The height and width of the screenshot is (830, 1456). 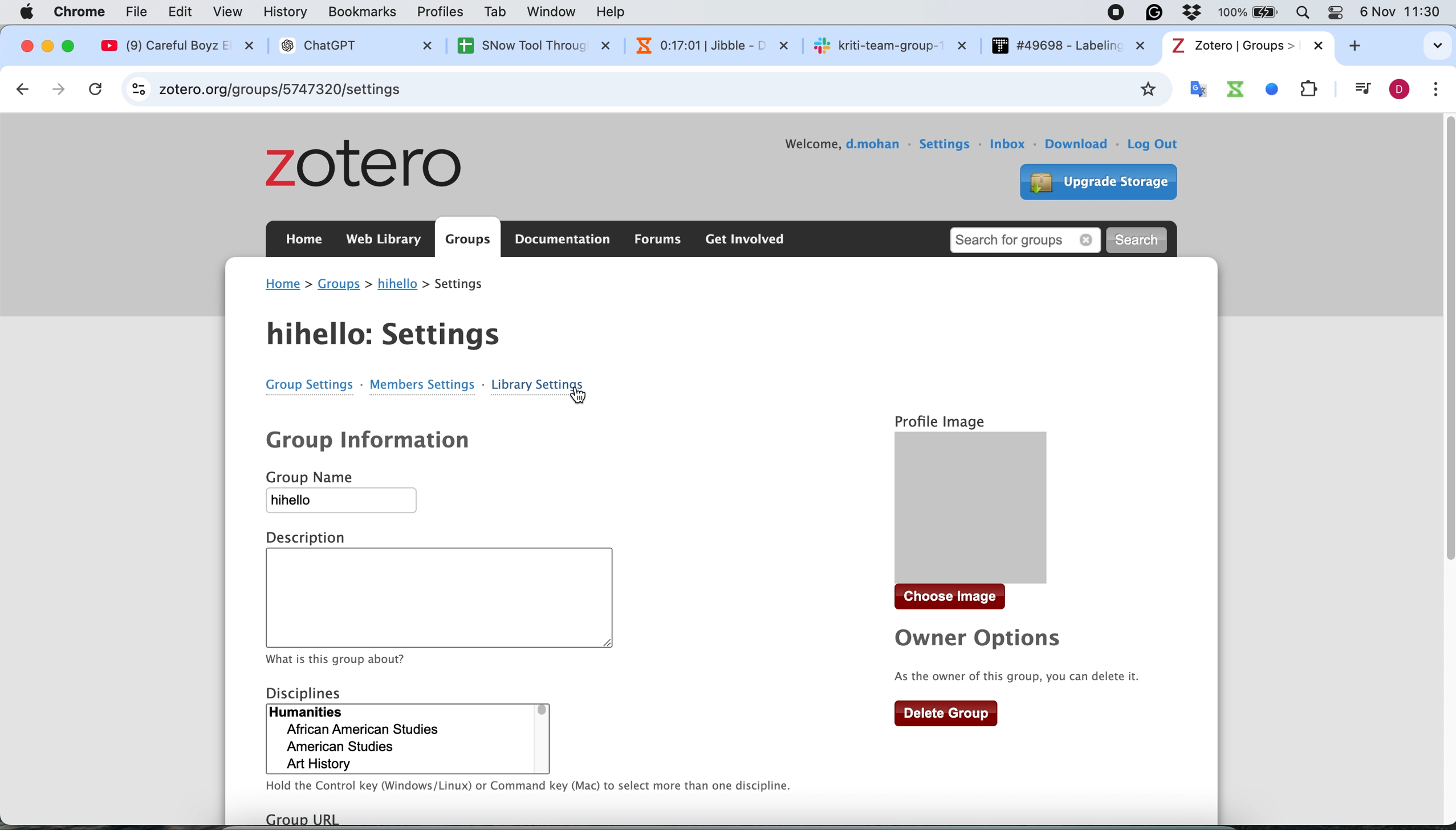 I want to click on cancel, so click(x=99, y=89).